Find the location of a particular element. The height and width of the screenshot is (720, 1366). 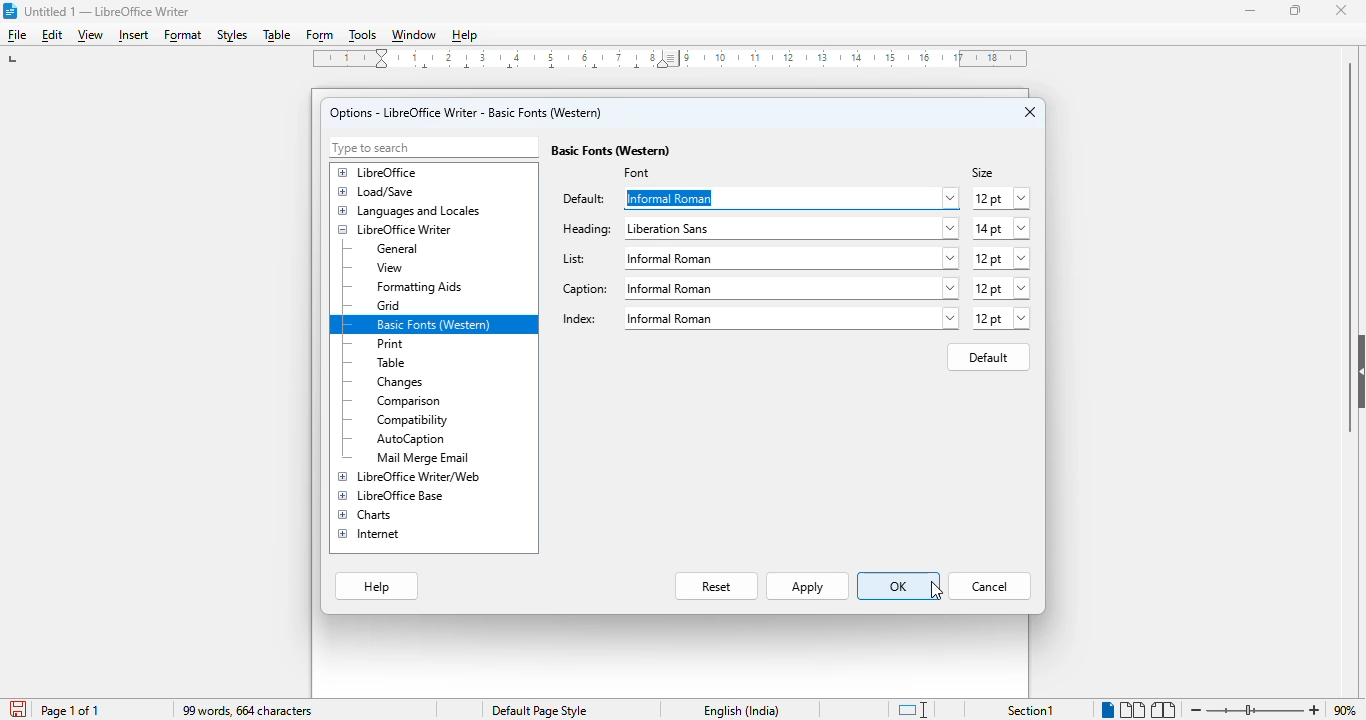

charts is located at coordinates (367, 514).